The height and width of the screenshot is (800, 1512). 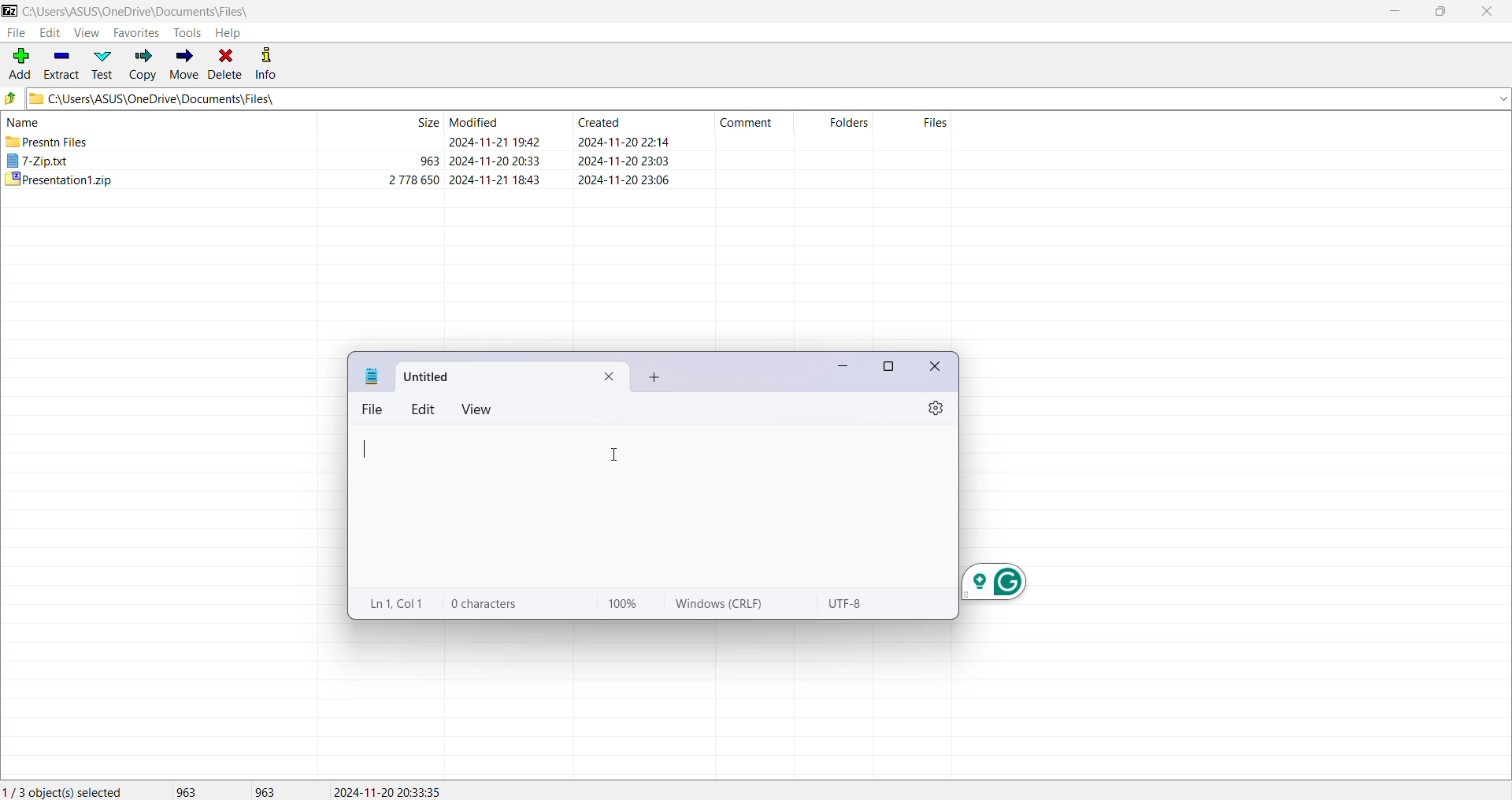 What do you see at coordinates (138, 12) in the screenshot?
I see `Current Folder Path` at bounding box center [138, 12].